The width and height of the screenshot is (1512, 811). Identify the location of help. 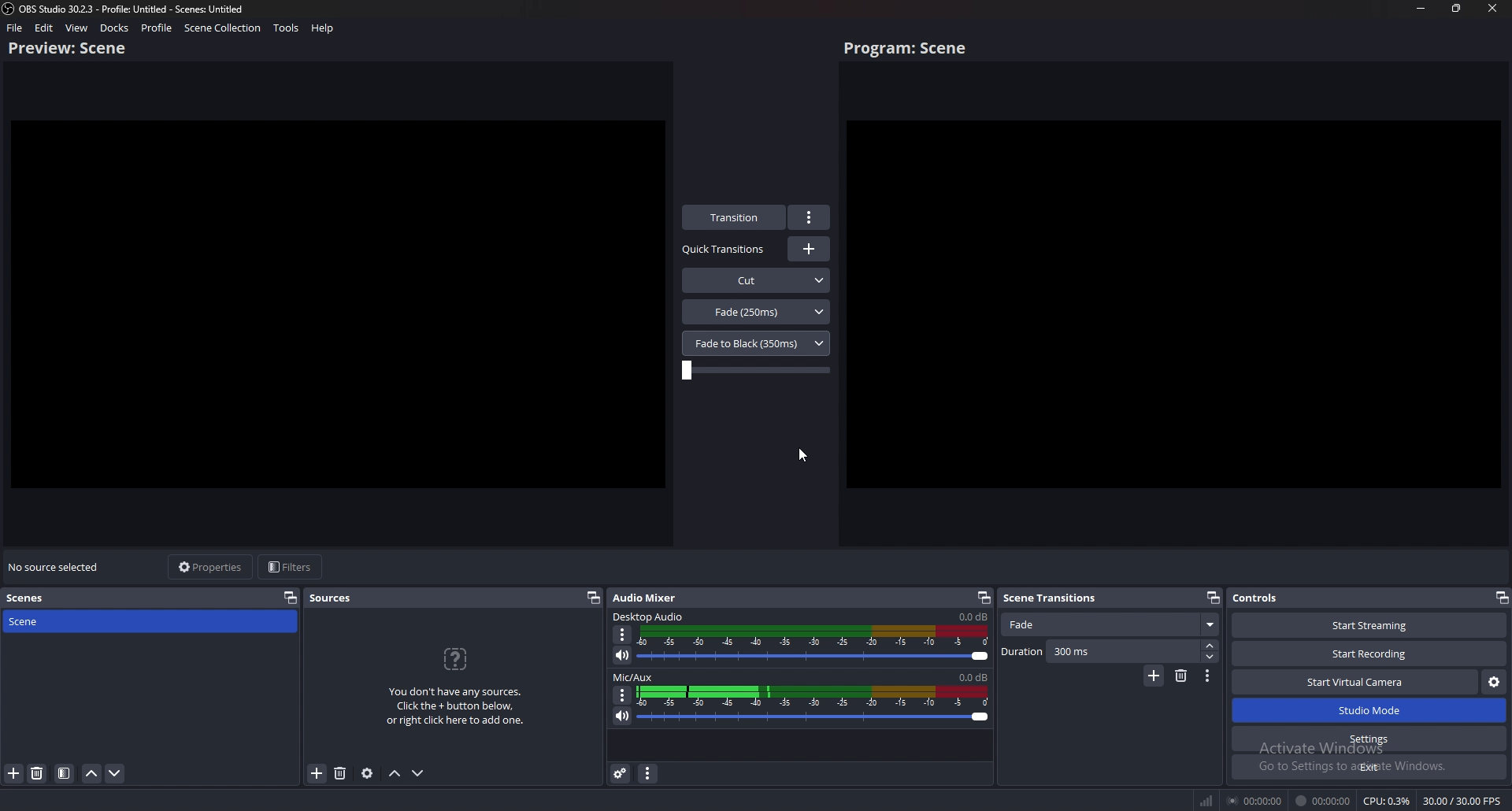
(322, 28).